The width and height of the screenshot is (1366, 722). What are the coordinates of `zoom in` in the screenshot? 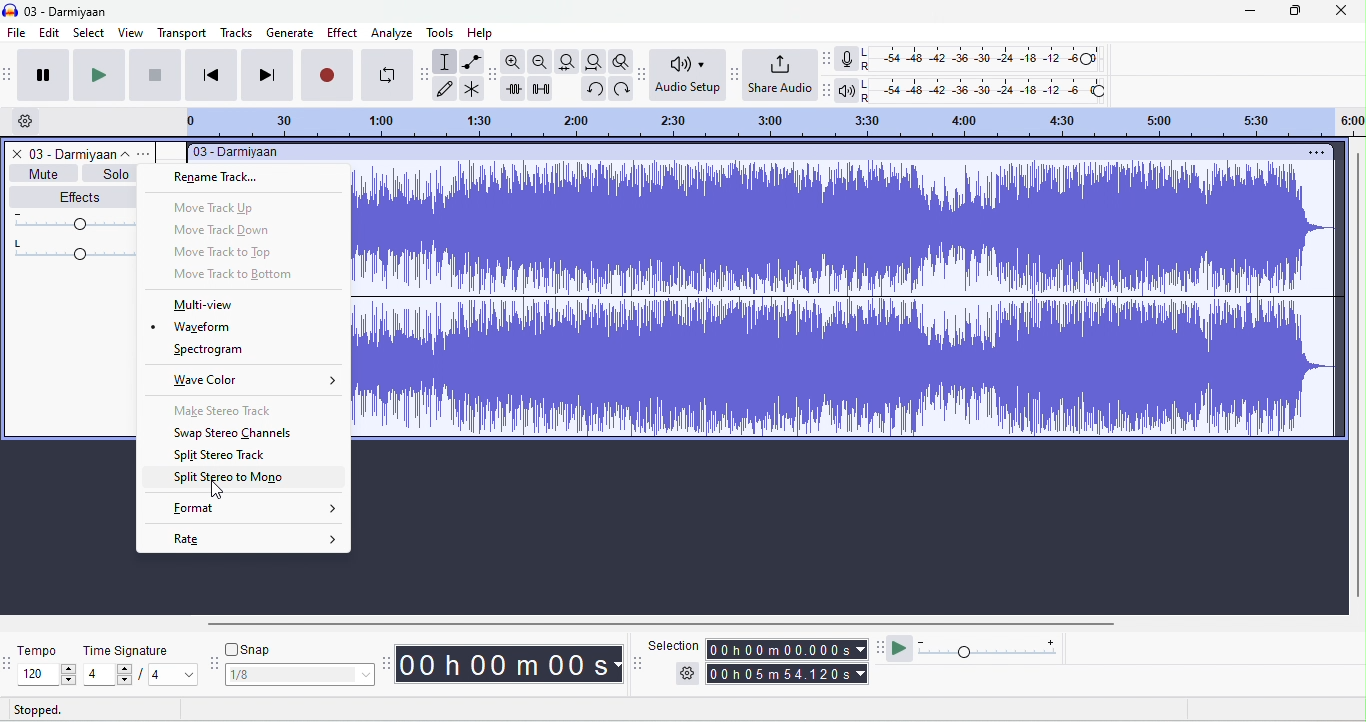 It's located at (512, 62).